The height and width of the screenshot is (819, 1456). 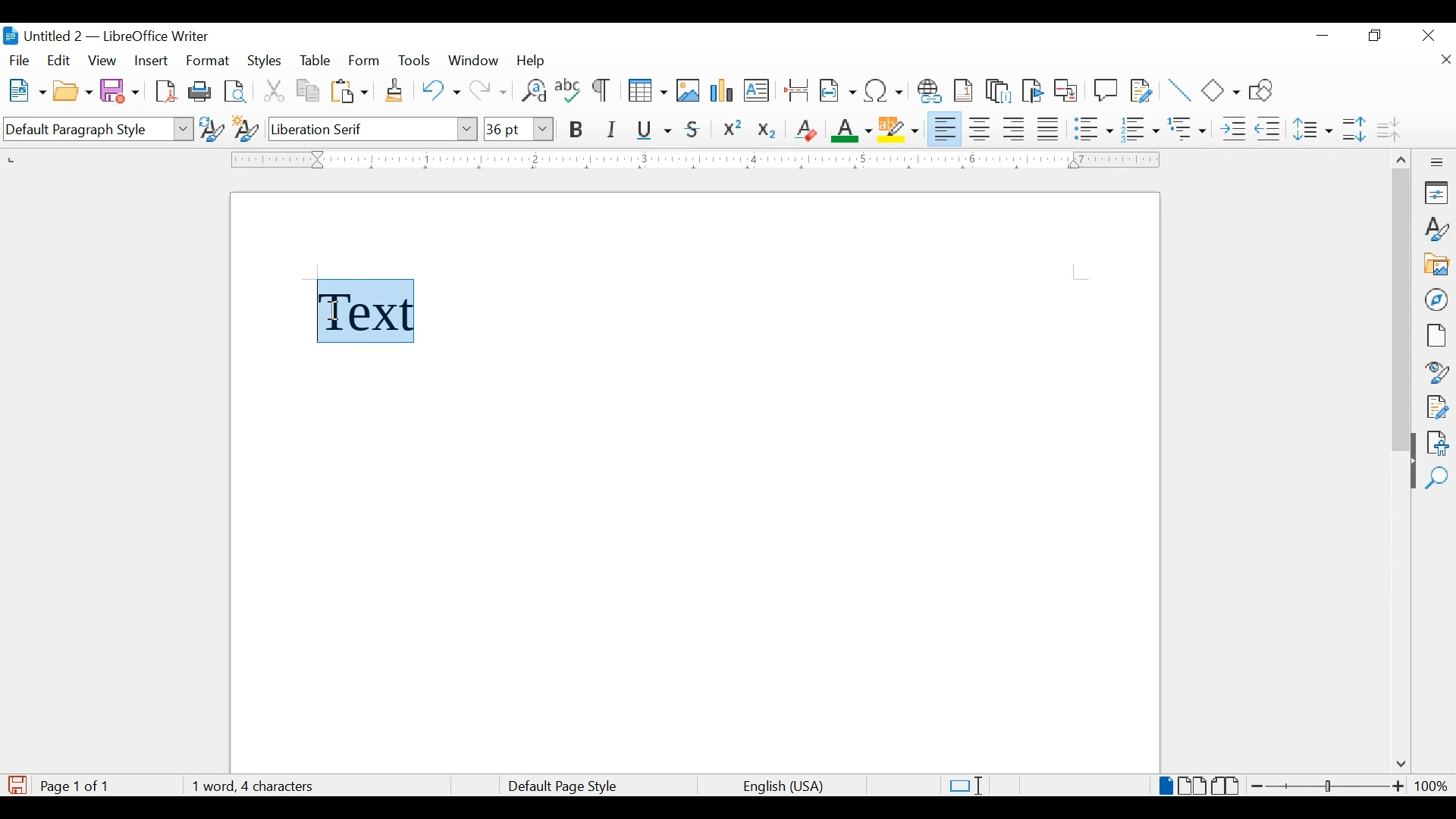 I want to click on bold, so click(x=577, y=130).